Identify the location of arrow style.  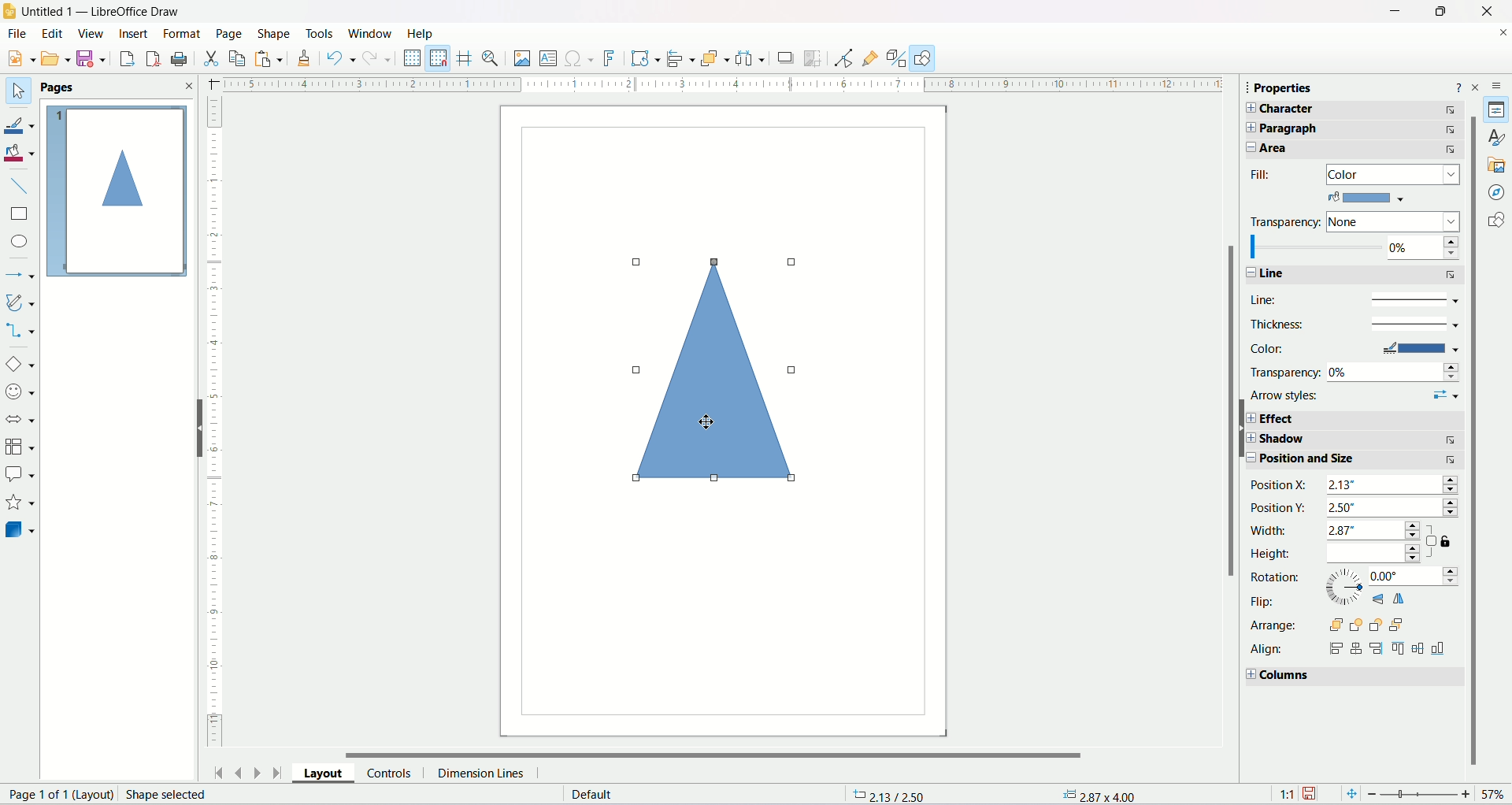
(1358, 393).